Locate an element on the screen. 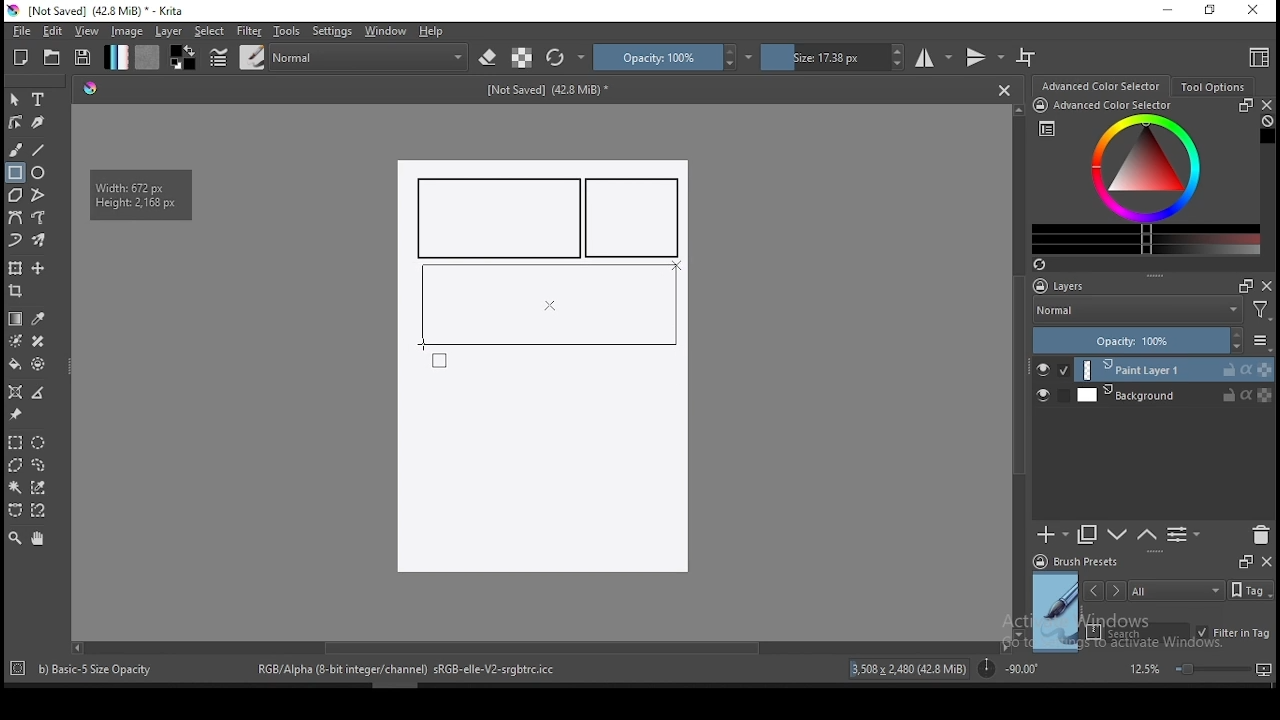  select shapes tool is located at coordinates (15, 99).